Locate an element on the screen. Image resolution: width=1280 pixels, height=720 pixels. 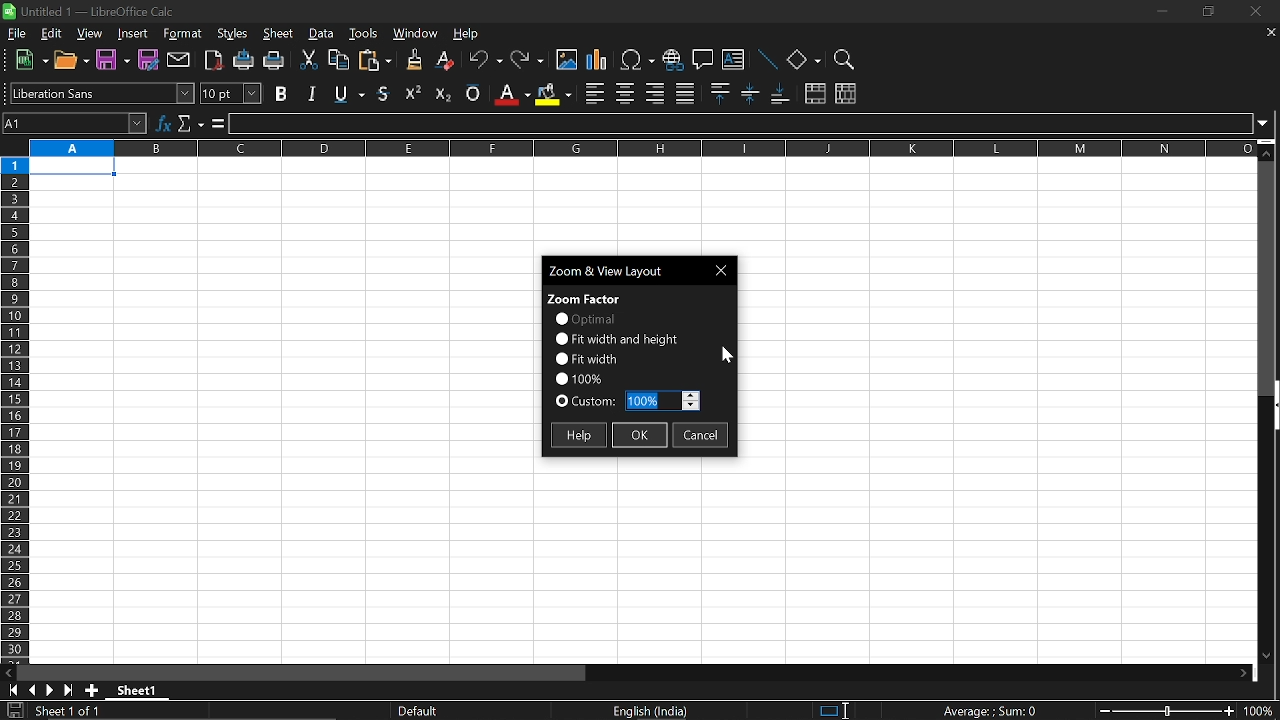
move right is located at coordinates (1248, 673).